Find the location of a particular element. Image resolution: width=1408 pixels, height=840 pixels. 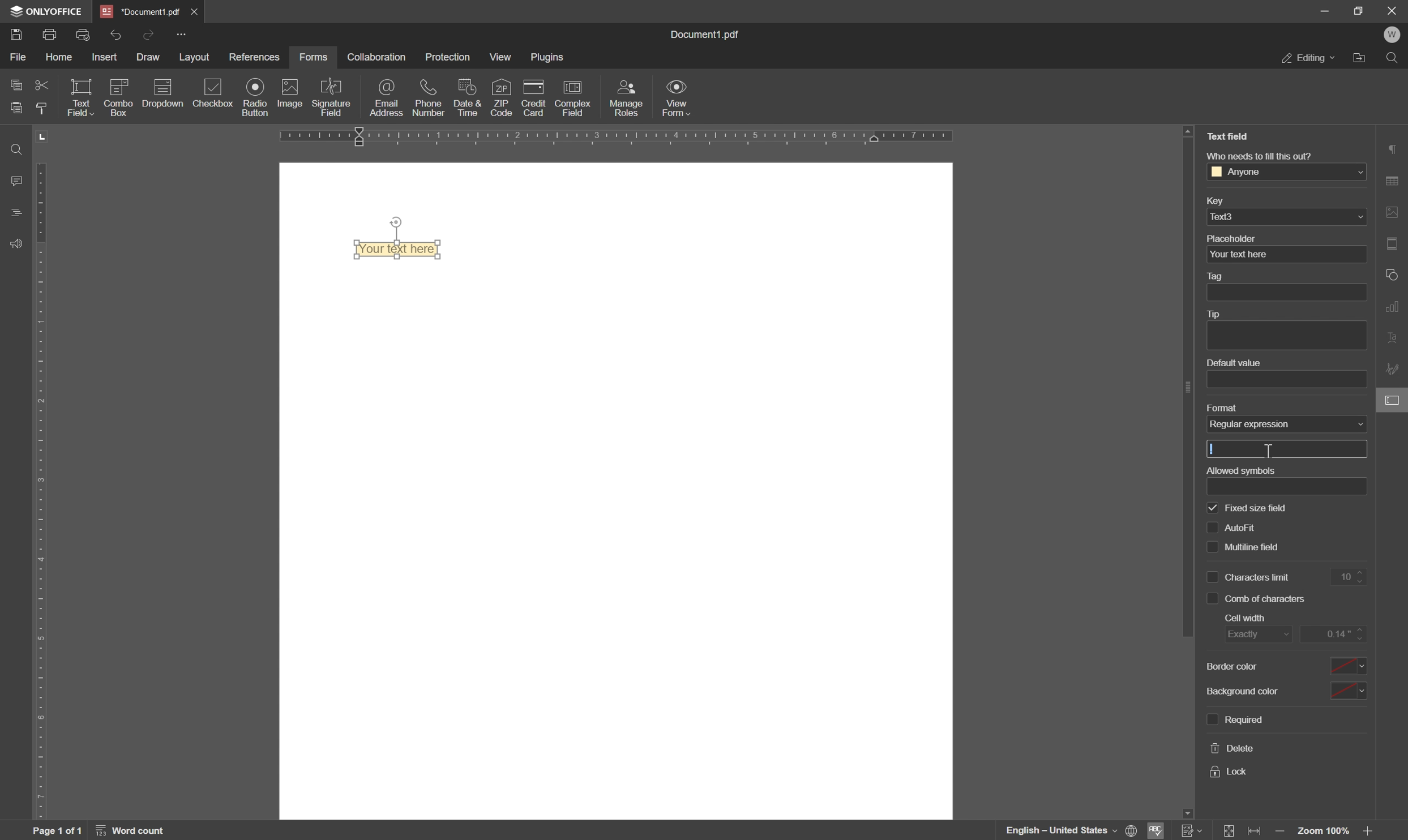

header & footer is located at coordinates (1395, 243).